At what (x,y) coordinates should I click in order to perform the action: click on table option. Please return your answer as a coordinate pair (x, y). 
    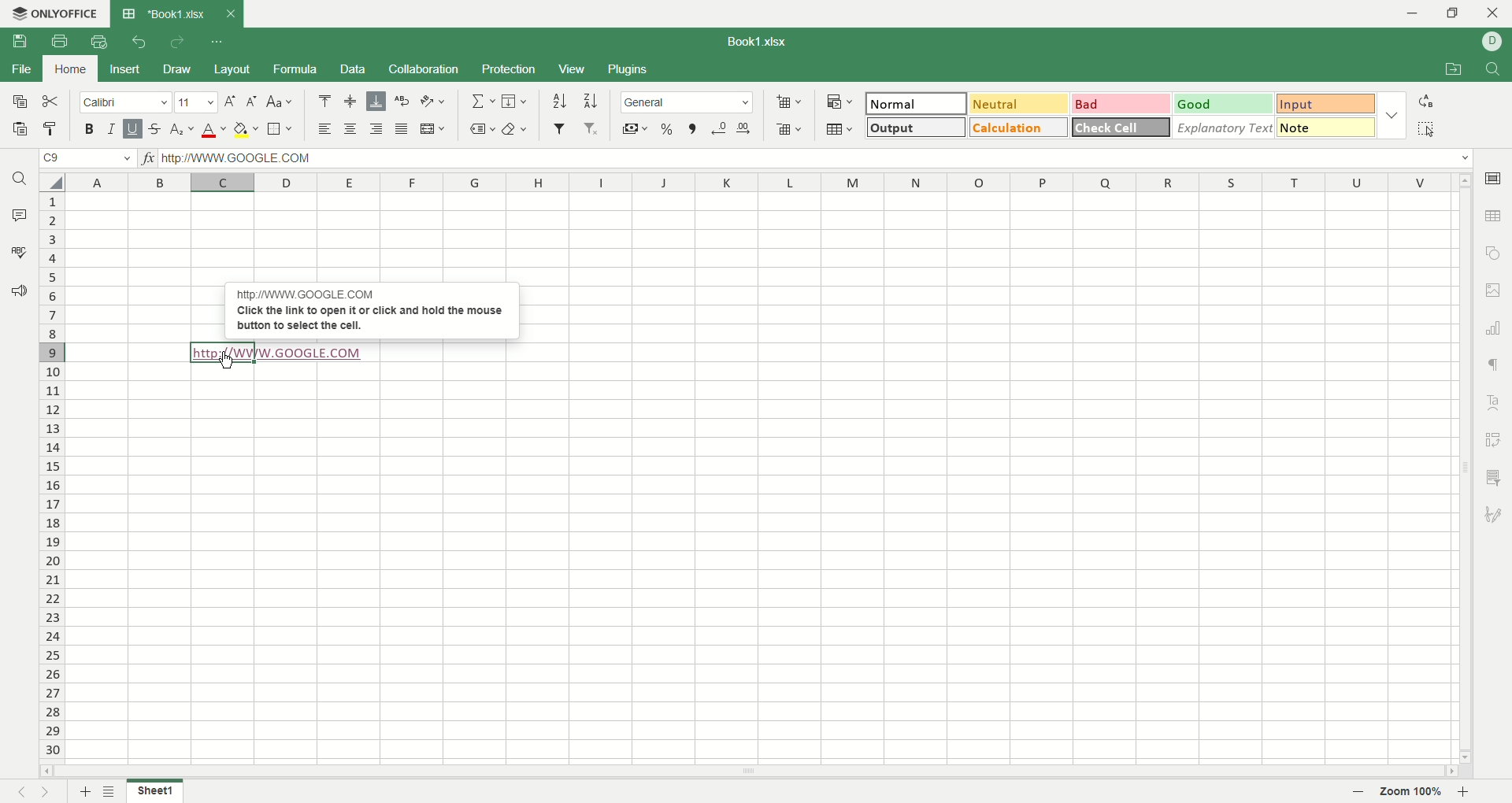
    Looking at the image, I should click on (1493, 216).